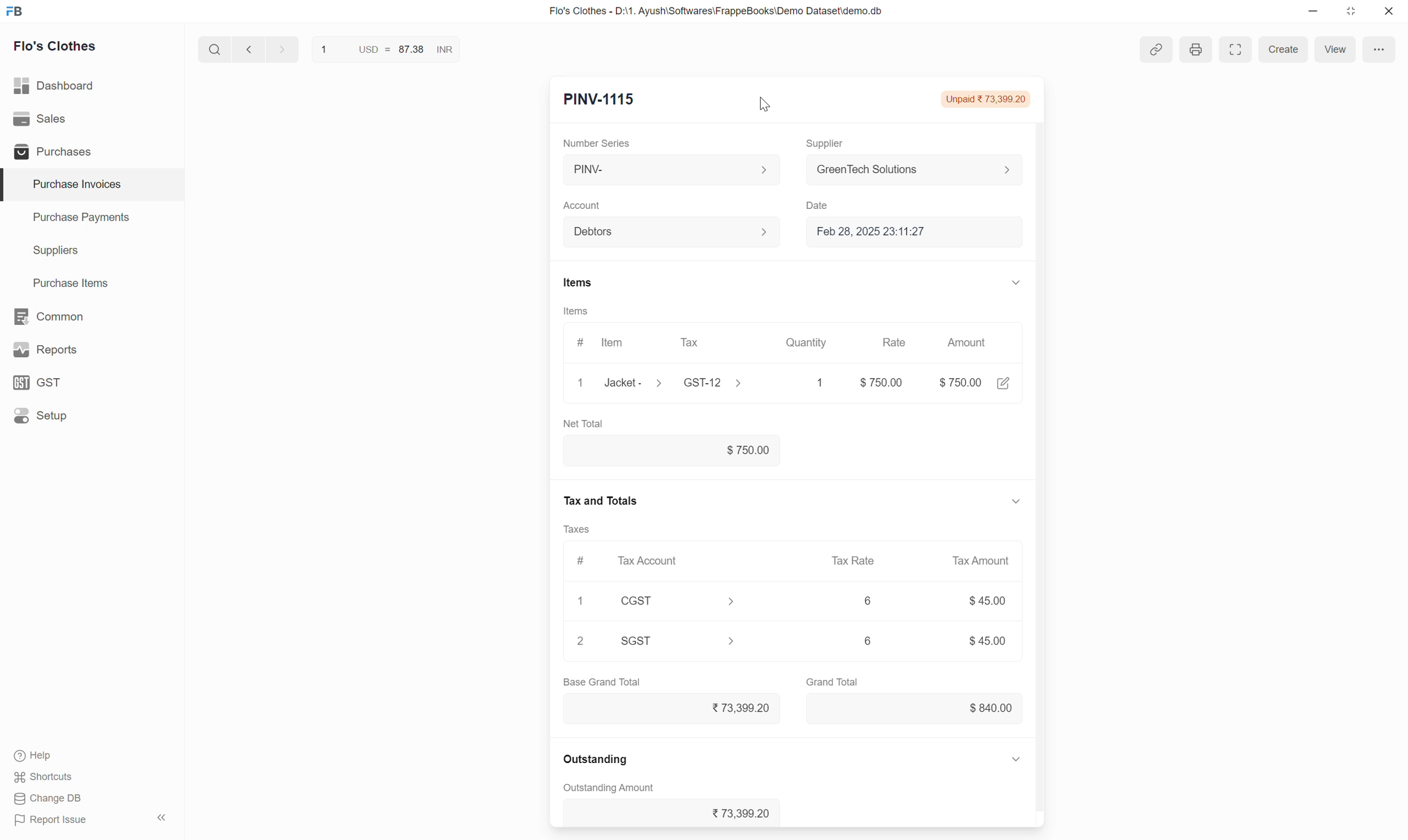 This screenshot has height=840, width=1408. I want to click on #, so click(581, 562).